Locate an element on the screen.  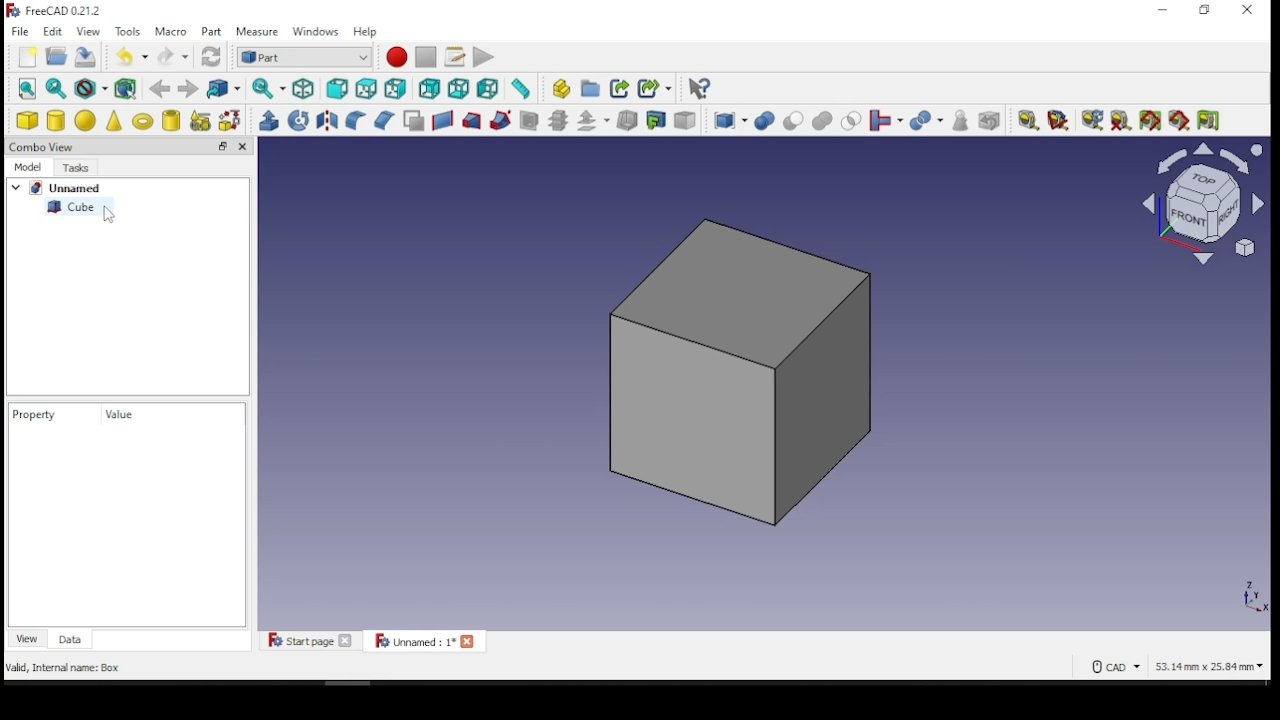
cross sections is located at coordinates (558, 121).